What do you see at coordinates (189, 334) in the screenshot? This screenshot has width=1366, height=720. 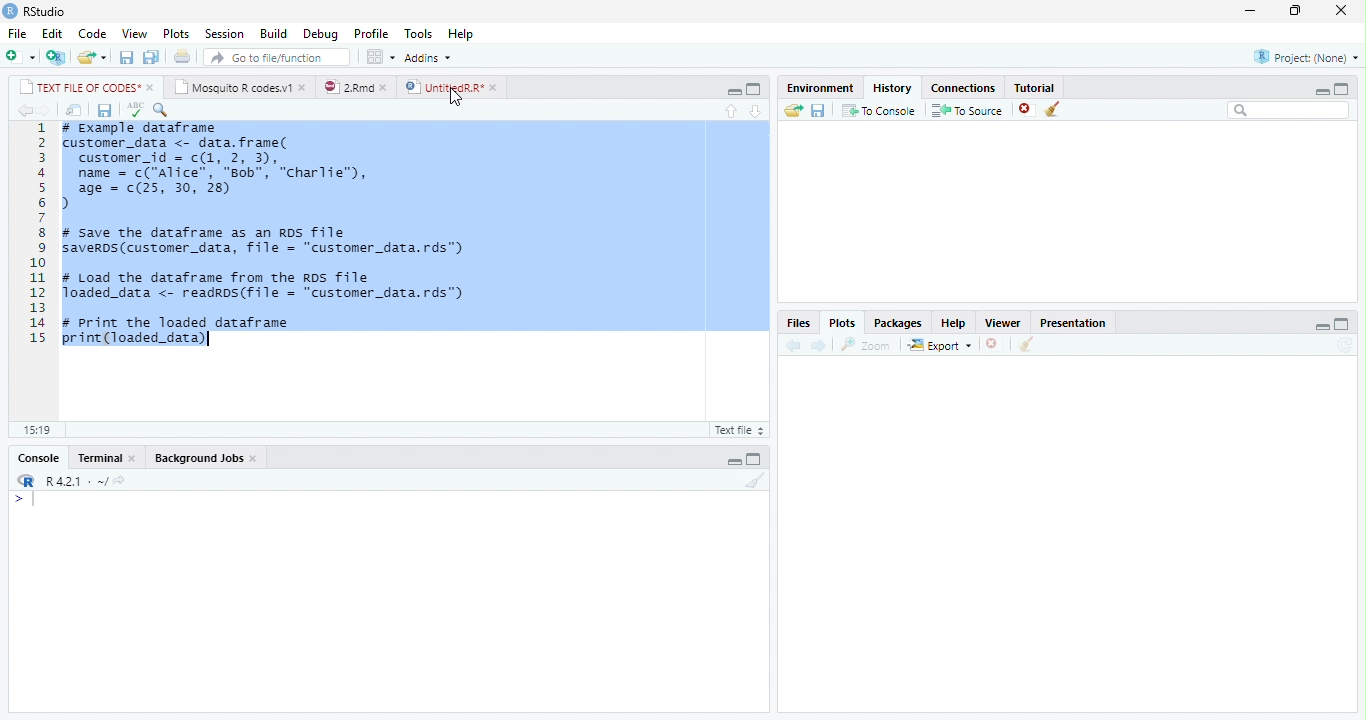 I see `# Print the loaded dataframe
print(loaded_data)|` at bounding box center [189, 334].